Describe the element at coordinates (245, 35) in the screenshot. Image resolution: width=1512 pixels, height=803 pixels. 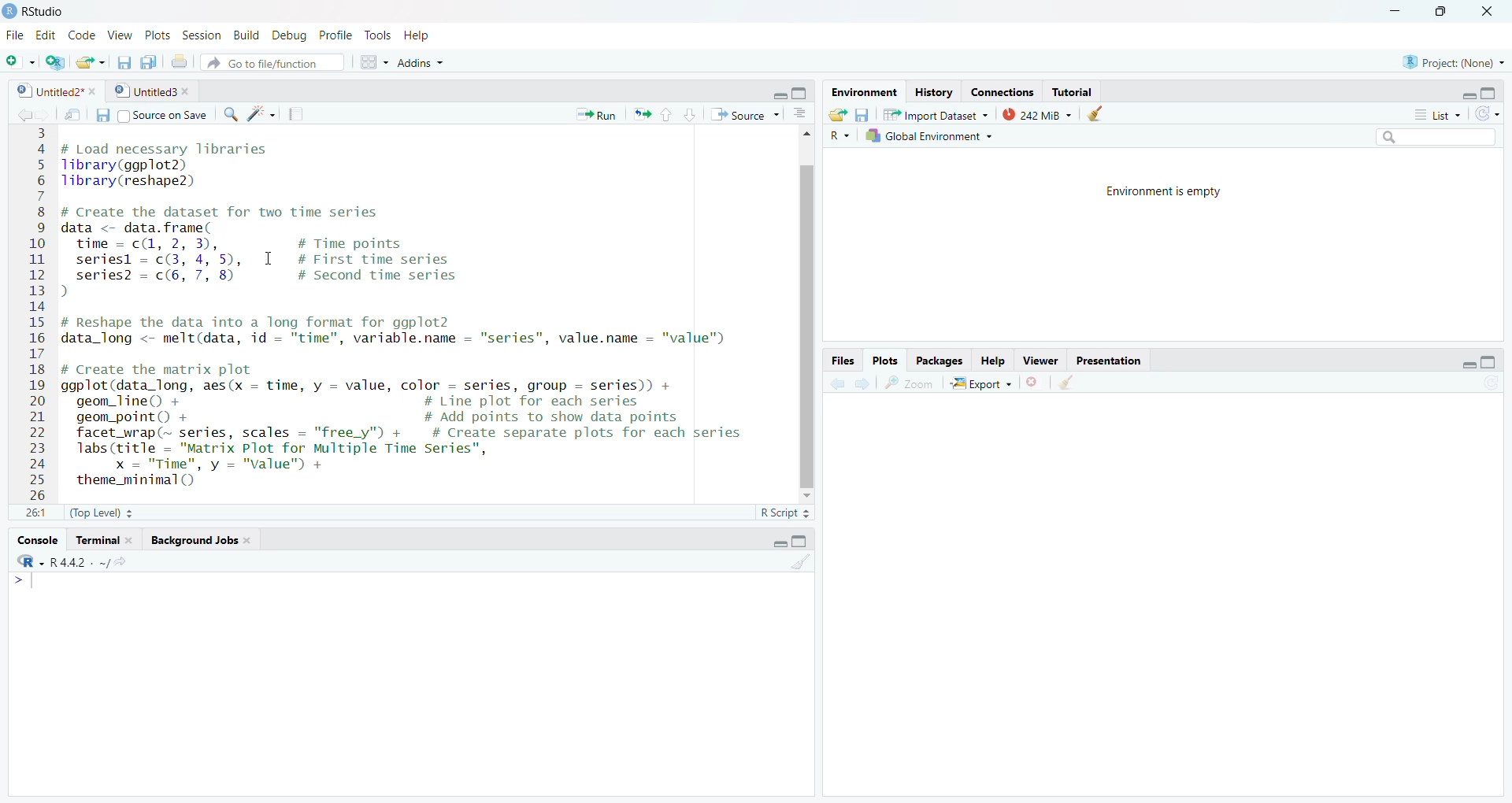
I see `Build` at that location.